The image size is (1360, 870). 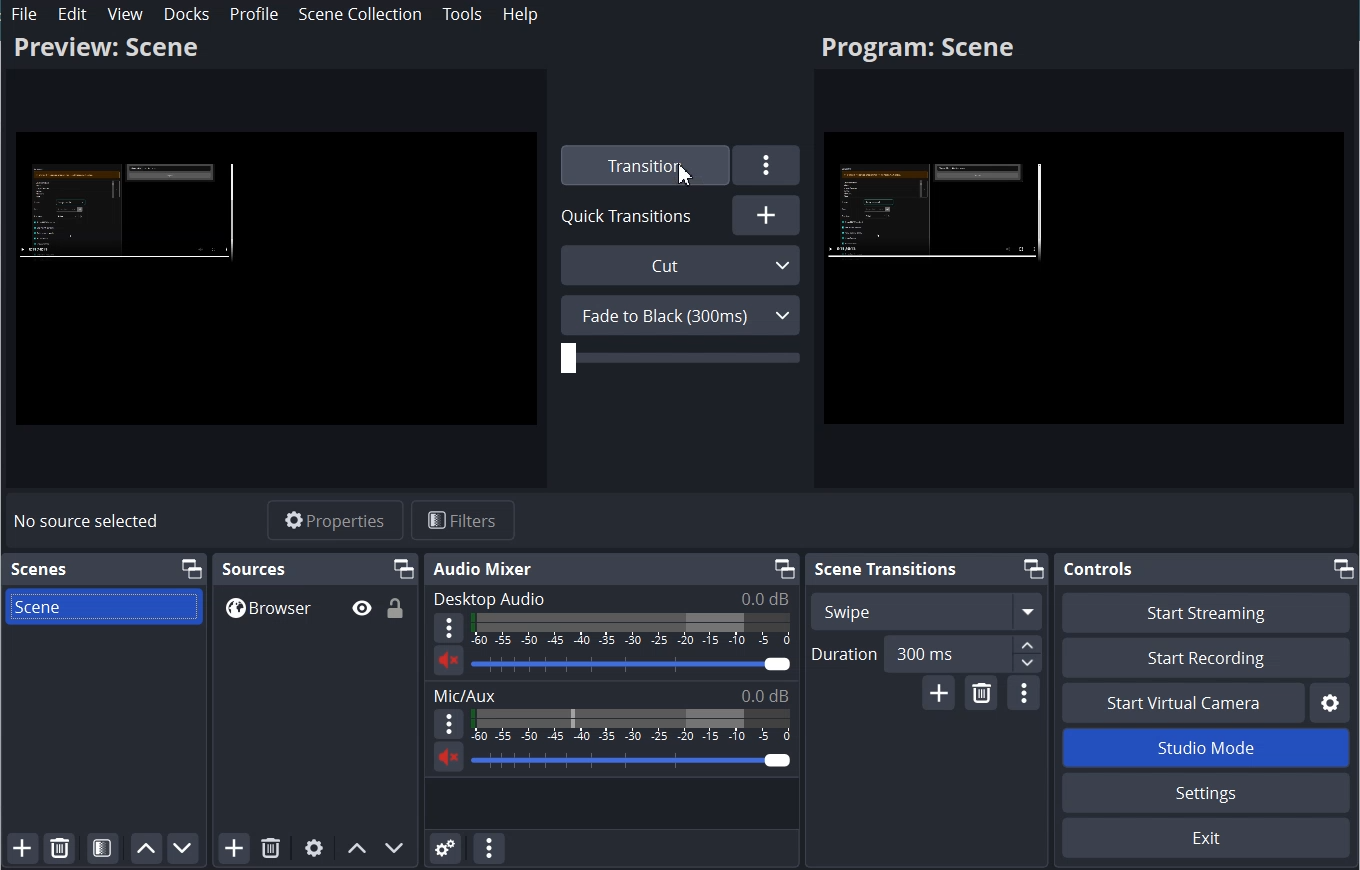 I want to click on Text, so click(x=612, y=695).